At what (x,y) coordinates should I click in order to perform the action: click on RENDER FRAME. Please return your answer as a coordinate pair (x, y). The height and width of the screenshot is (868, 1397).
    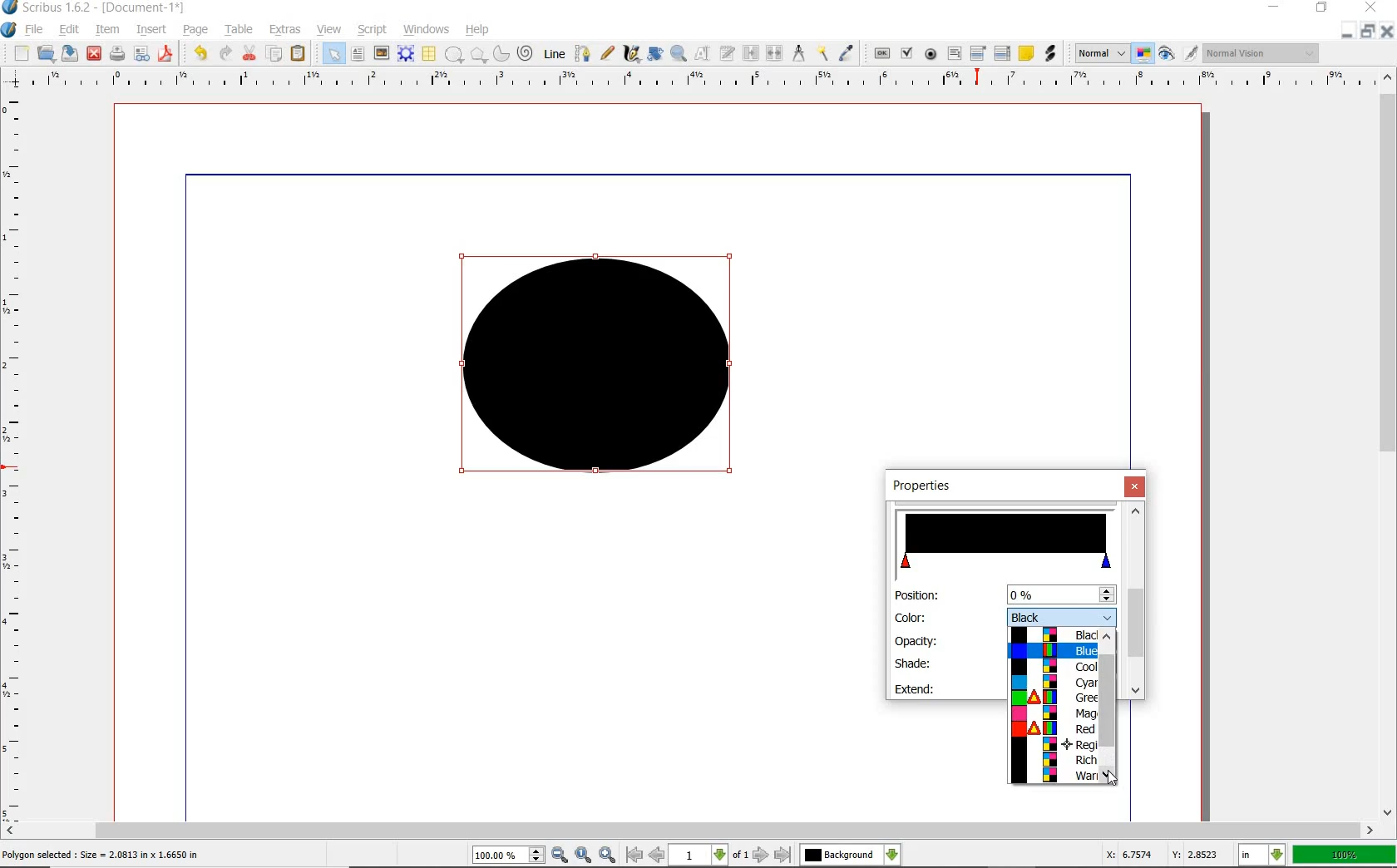
    Looking at the image, I should click on (404, 53).